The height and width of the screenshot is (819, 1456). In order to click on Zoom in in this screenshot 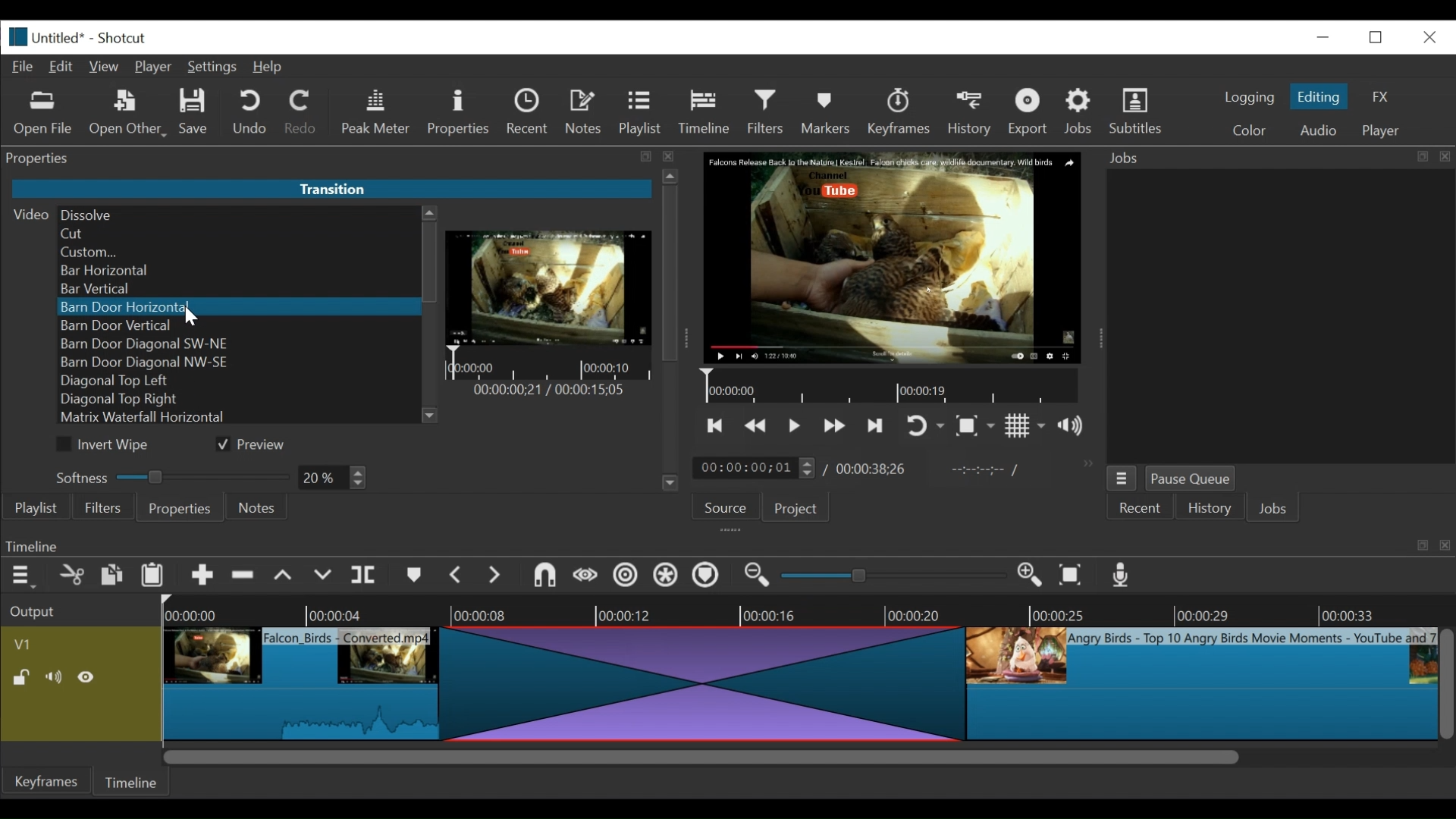, I will do `click(1032, 576)`.